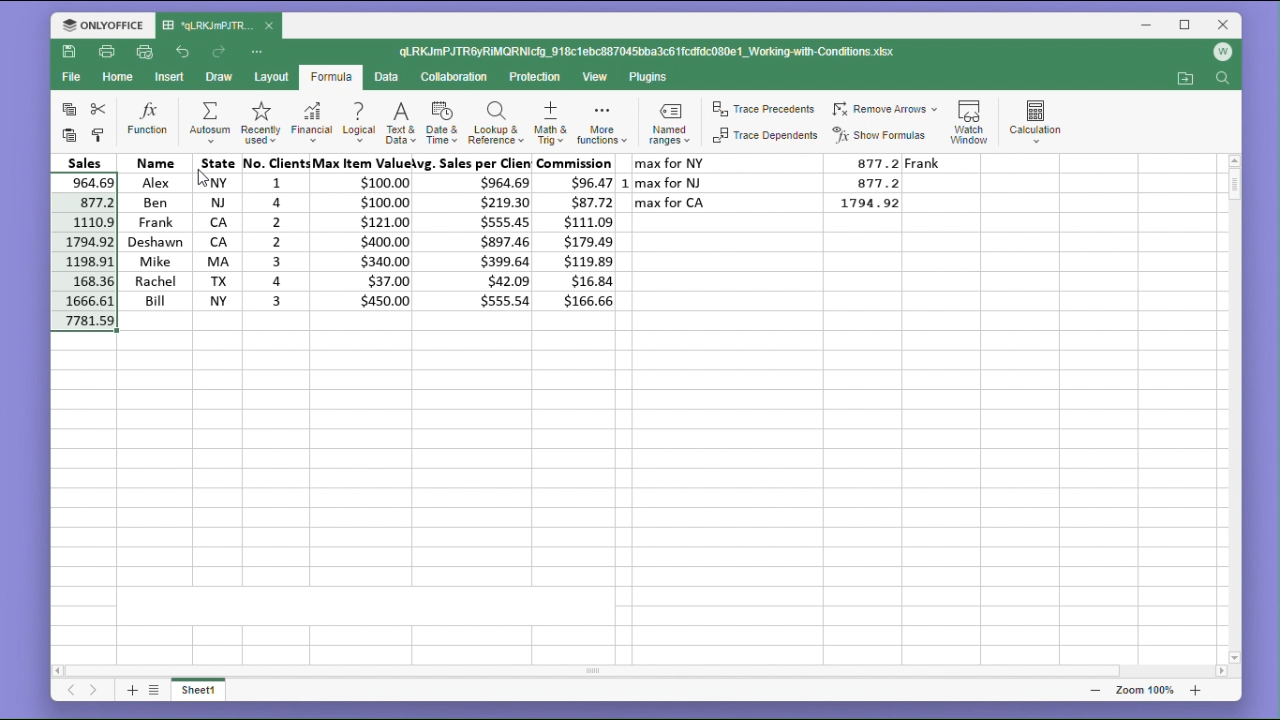  What do you see at coordinates (206, 180) in the screenshot?
I see `cursor` at bounding box center [206, 180].